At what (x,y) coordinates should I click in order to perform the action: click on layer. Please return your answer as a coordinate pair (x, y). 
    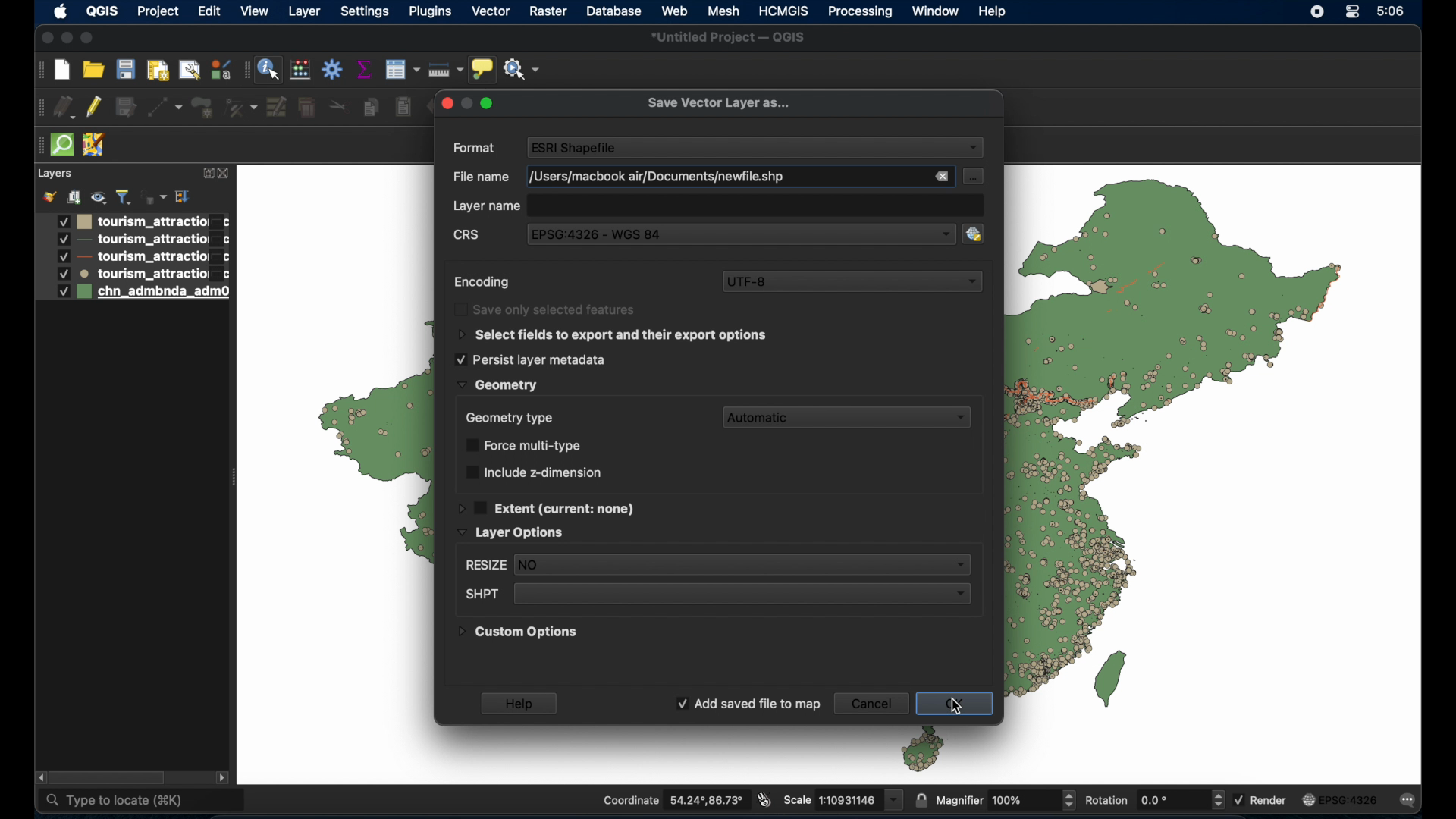
    Looking at the image, I should click on (304, 14).